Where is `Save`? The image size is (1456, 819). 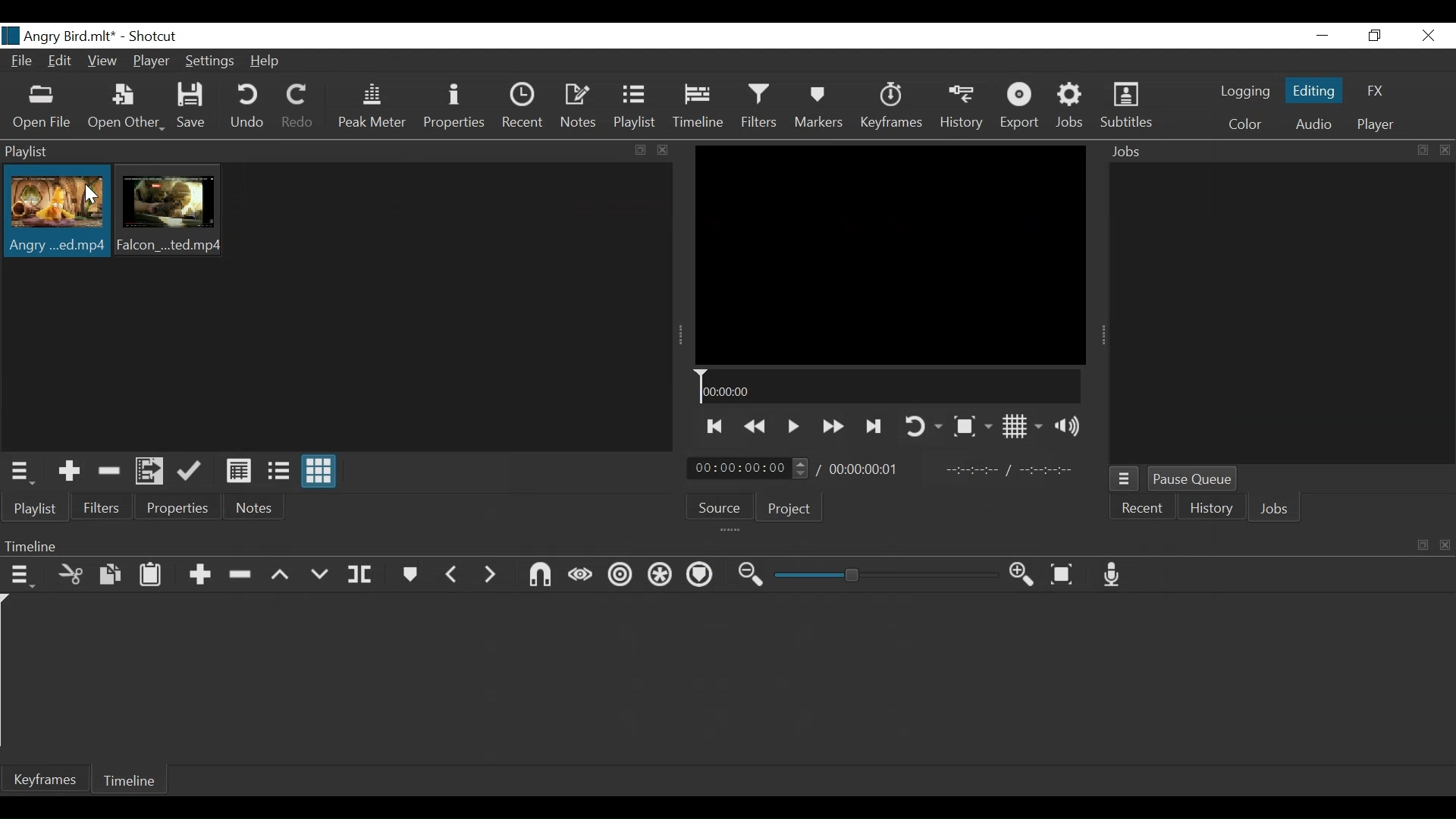
Save is located at coordinates (194, 107).